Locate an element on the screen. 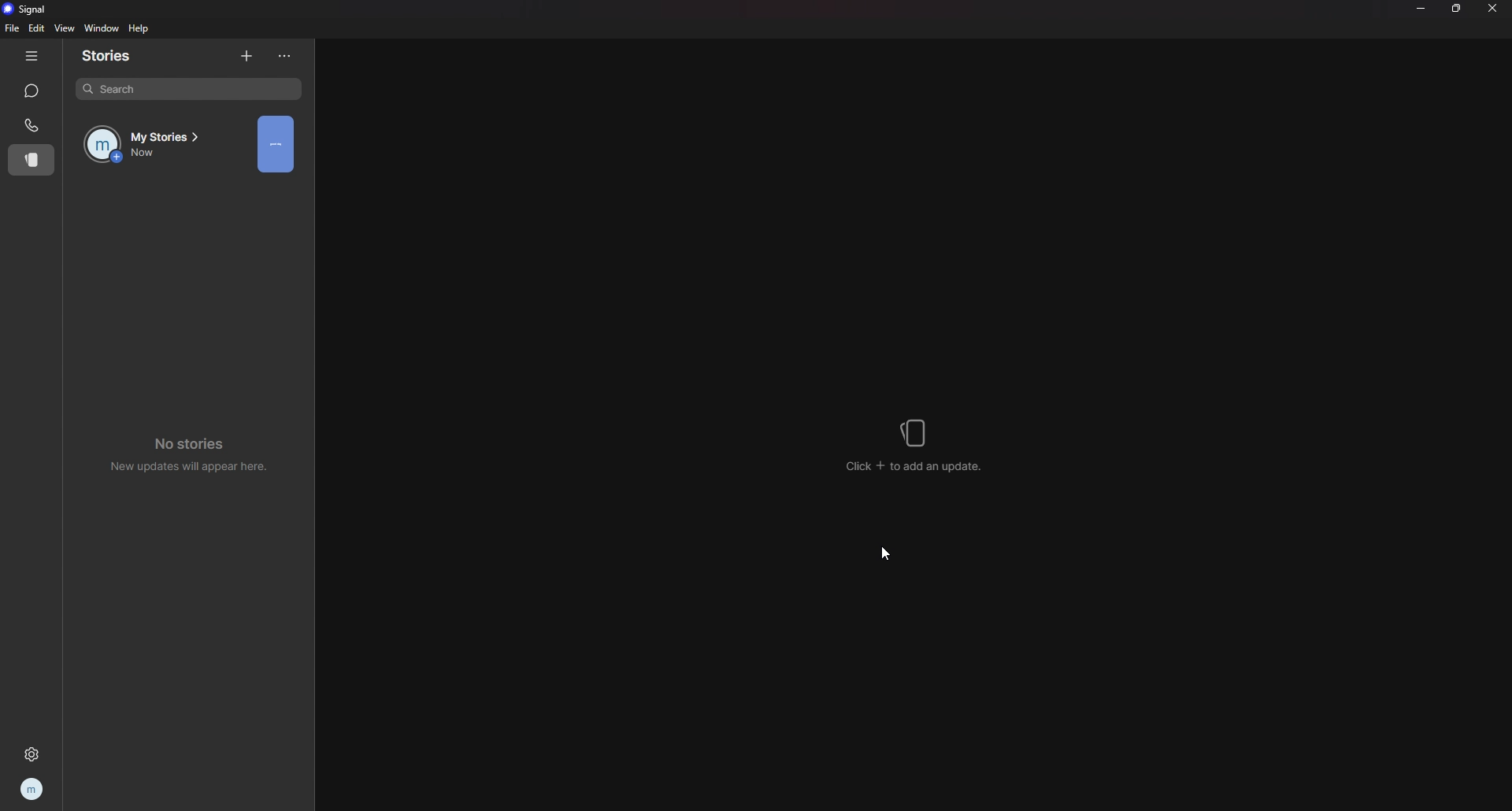  stories is located at coordinates (114, 56).